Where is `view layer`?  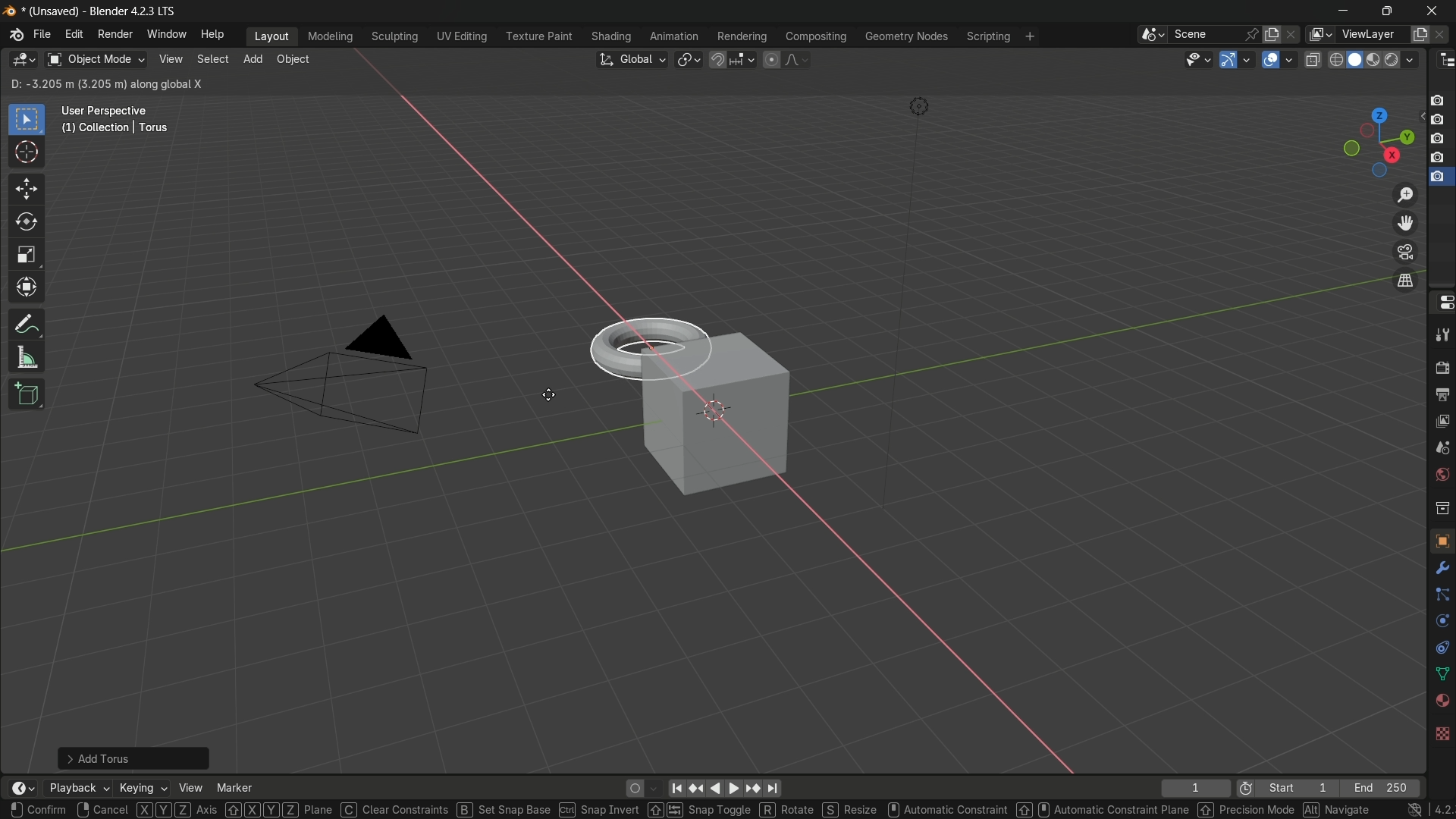
view layer is located at coordinates (1318, 34).